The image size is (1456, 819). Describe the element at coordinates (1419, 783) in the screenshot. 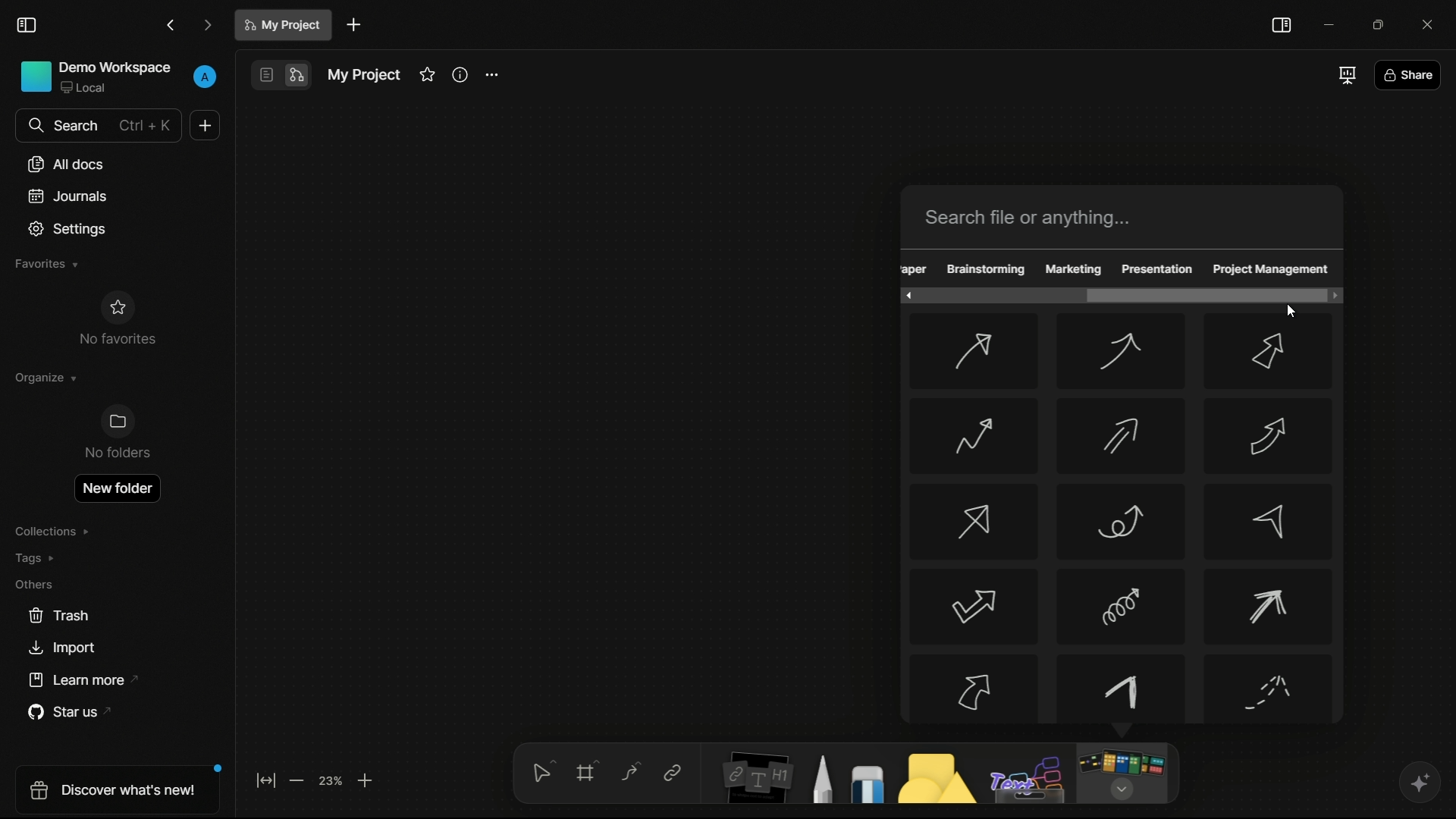

I see `ai assistant` at that location.